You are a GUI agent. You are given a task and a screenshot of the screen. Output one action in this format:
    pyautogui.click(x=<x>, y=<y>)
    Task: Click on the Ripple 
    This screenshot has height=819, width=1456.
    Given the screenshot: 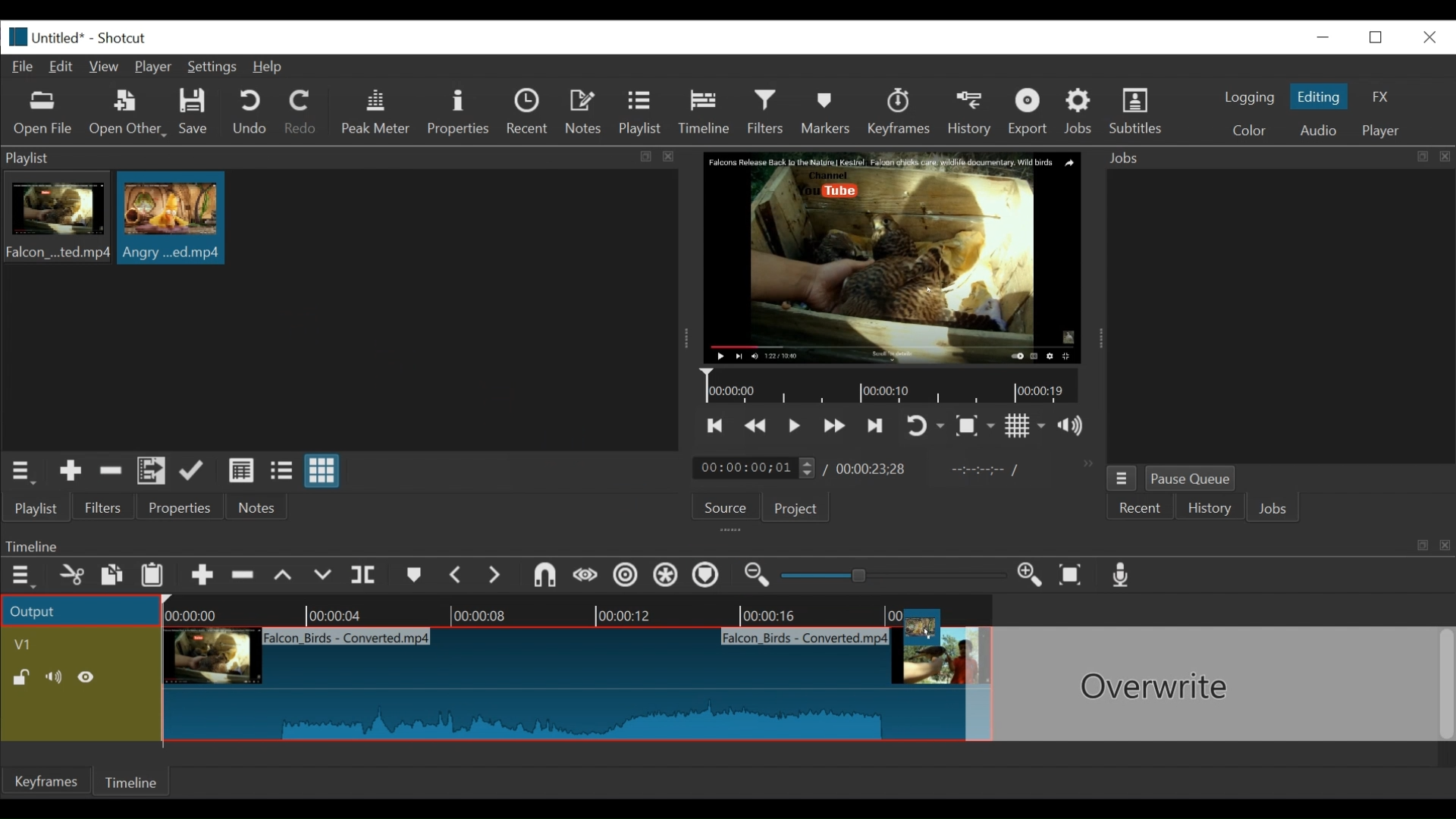 What is the action you would take?
    pyautogui.click(x=626, y=577)
    